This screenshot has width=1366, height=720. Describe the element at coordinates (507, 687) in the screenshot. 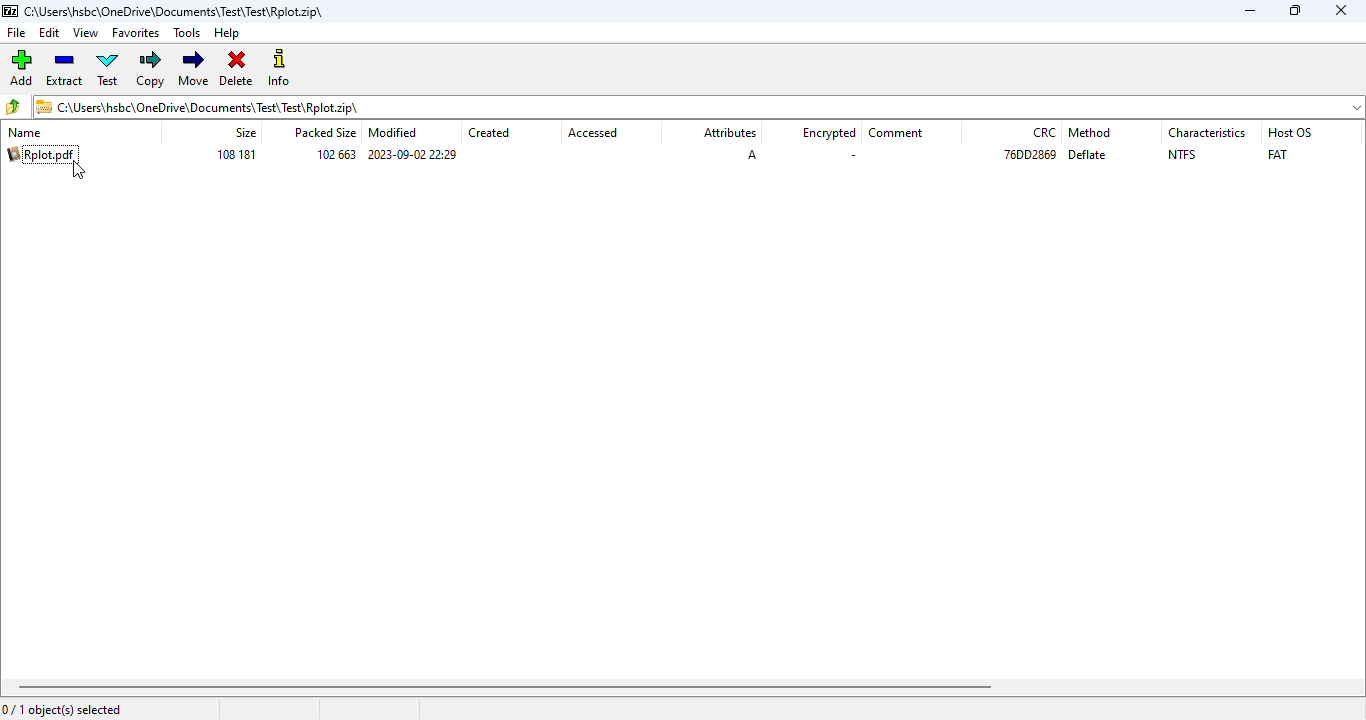

I see `horizontal scroll bar` at that location.